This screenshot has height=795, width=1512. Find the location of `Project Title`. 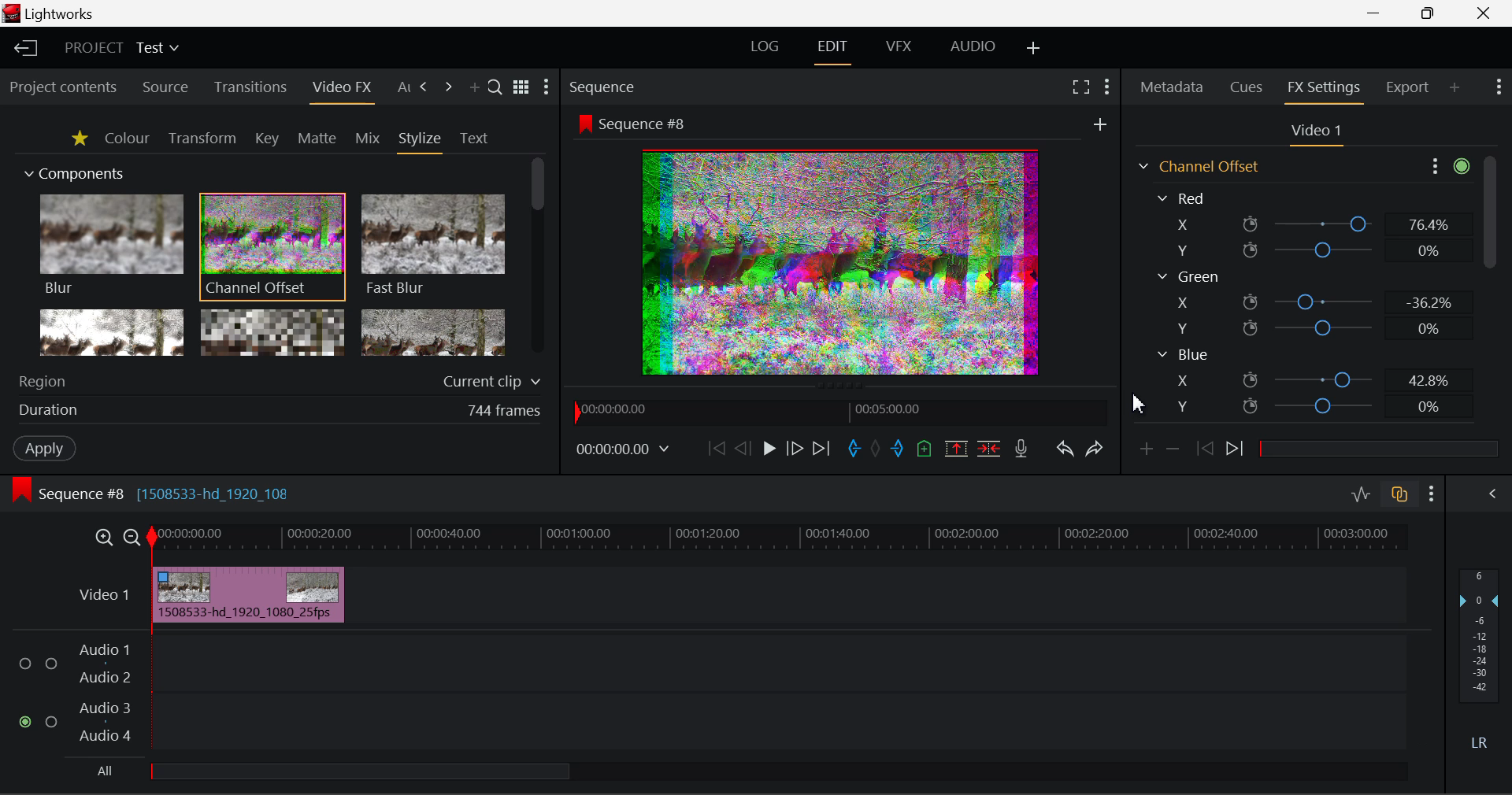

Project Title is located at coordinates (121, 46).